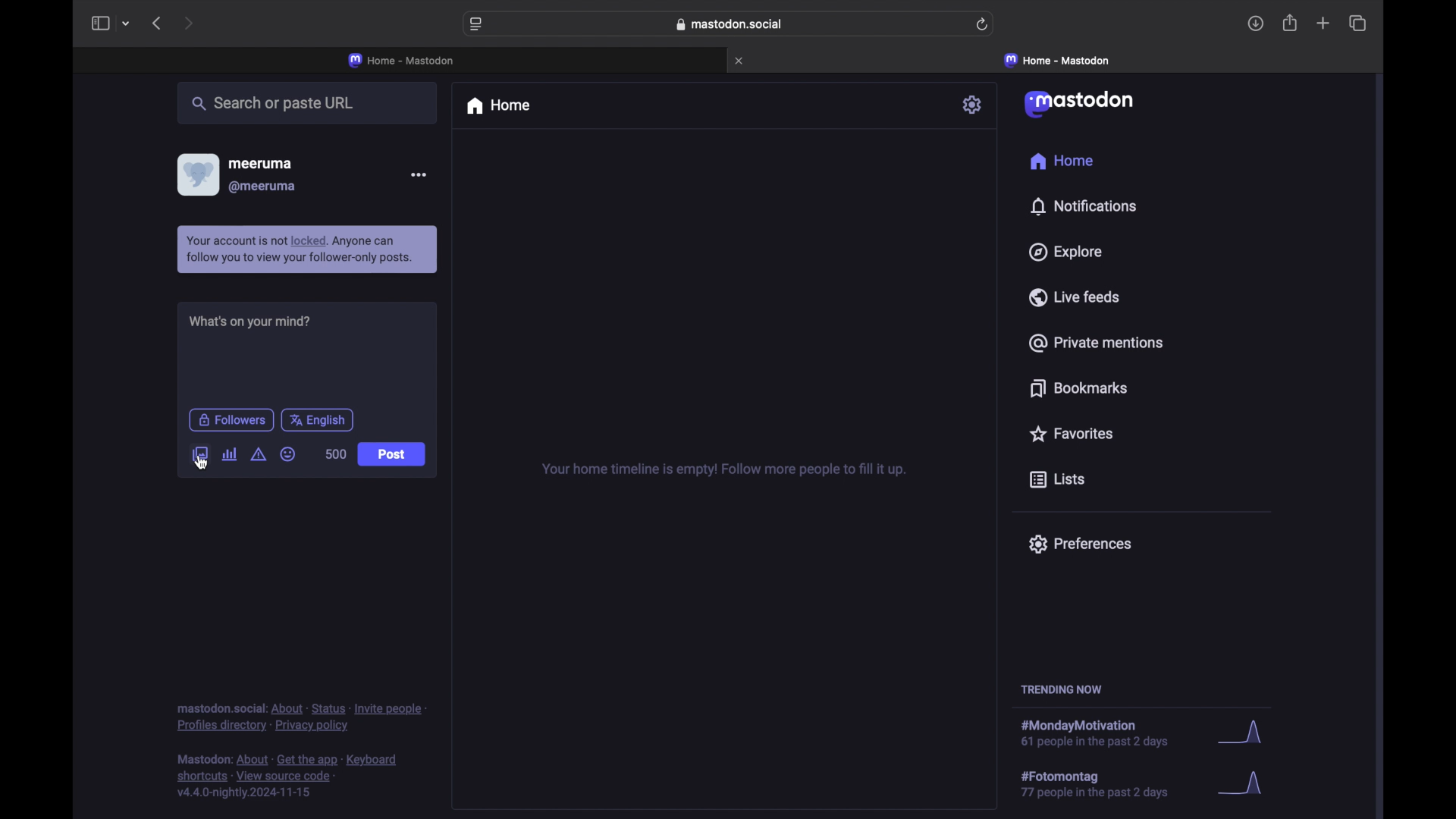  Describe the element at coordinates (300, 717) in the screenshot. I see `footnote` at that location.